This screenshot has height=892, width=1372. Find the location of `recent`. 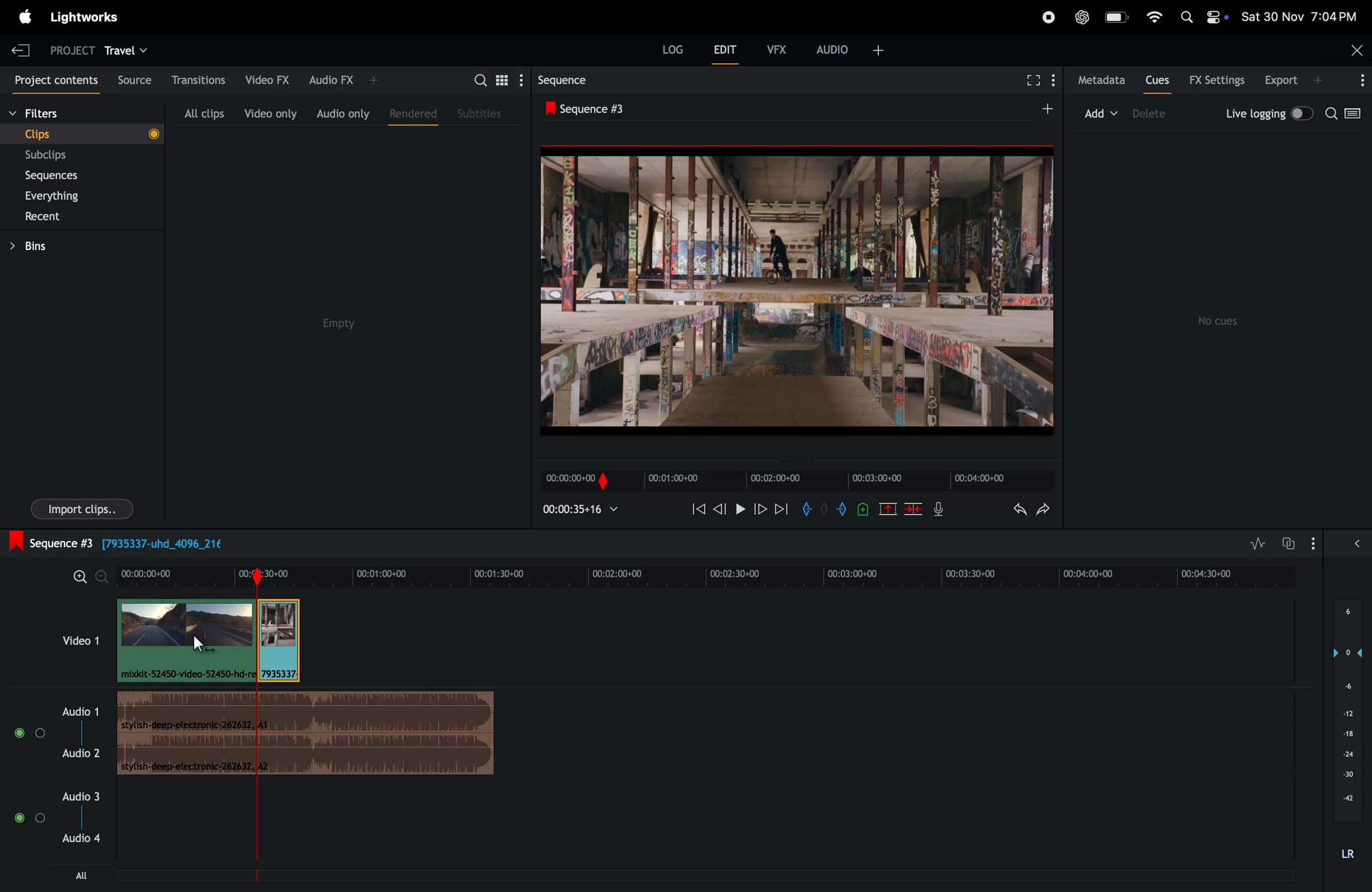

recent is located at coordinates (67, 216).